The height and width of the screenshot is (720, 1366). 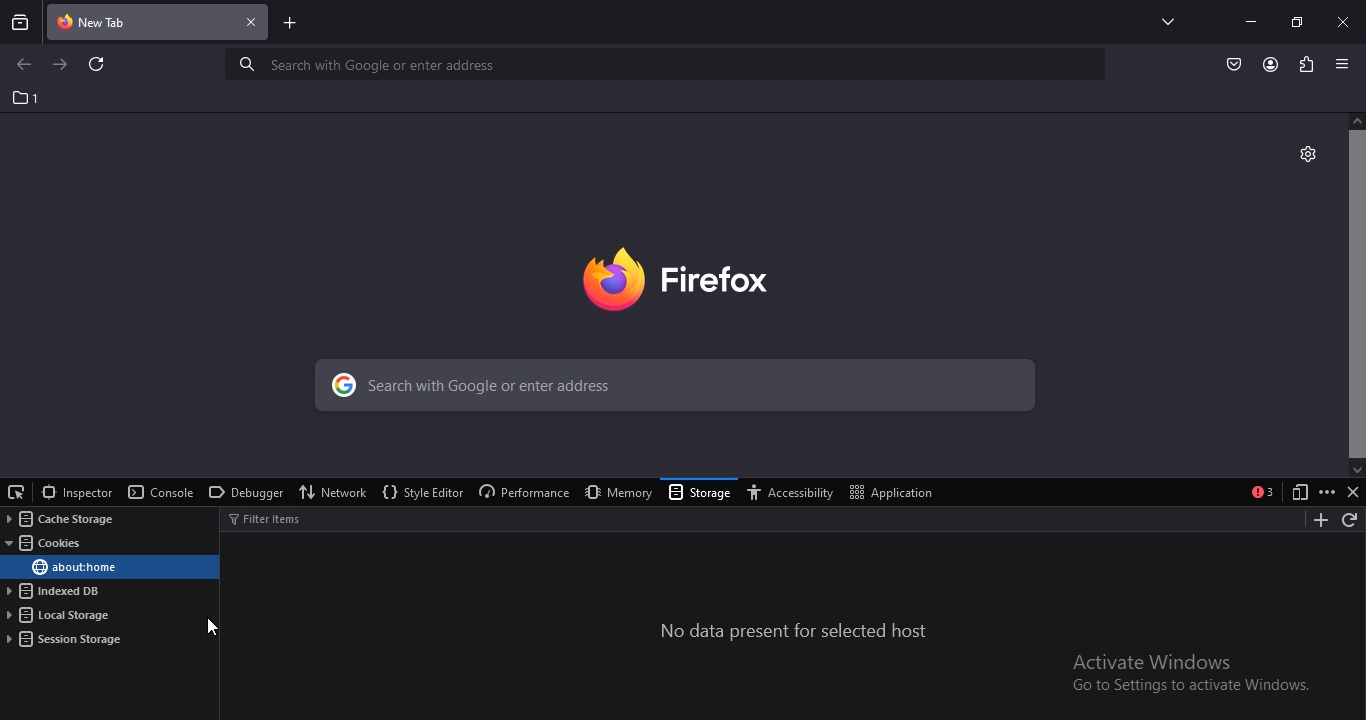 What do you see at coordinates (27, 98) in the screenshot?
I see `1` at bounding box center [27, 98].